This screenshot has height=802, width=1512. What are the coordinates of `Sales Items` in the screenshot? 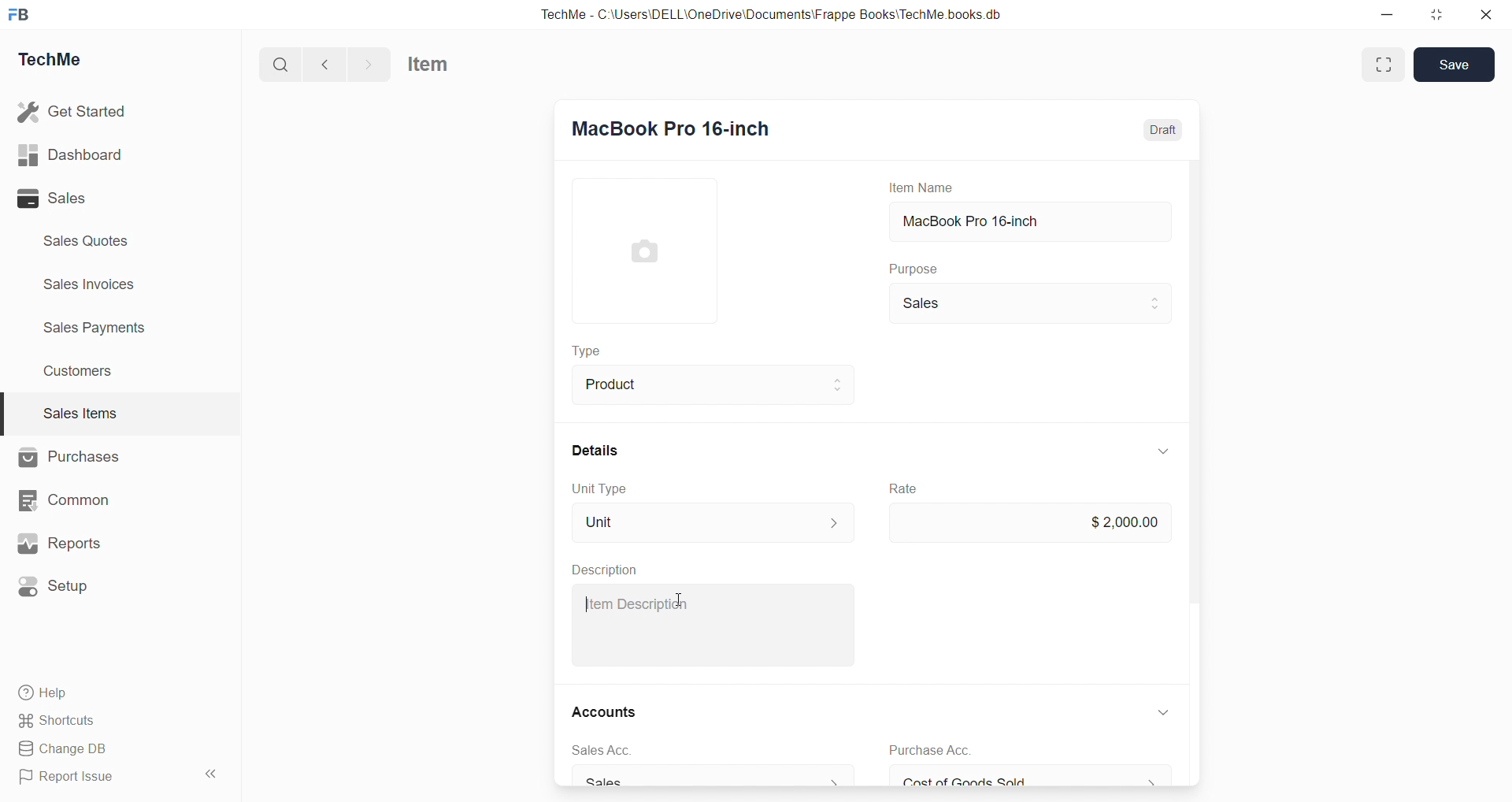 It's located at (80, 413).